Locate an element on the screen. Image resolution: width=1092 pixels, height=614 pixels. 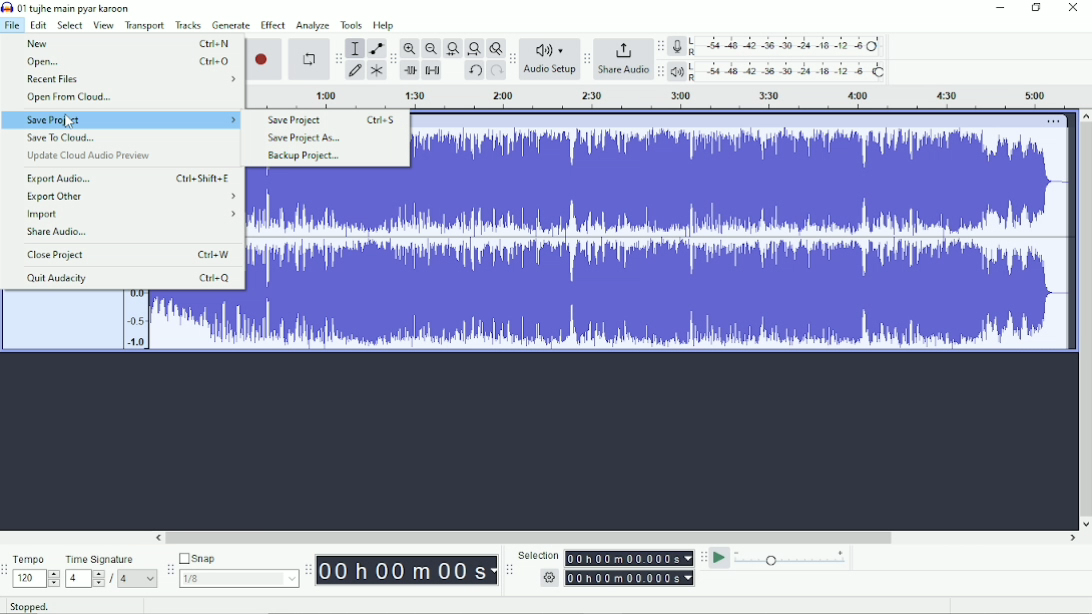
Save Project is located at coordinates (331, 120).